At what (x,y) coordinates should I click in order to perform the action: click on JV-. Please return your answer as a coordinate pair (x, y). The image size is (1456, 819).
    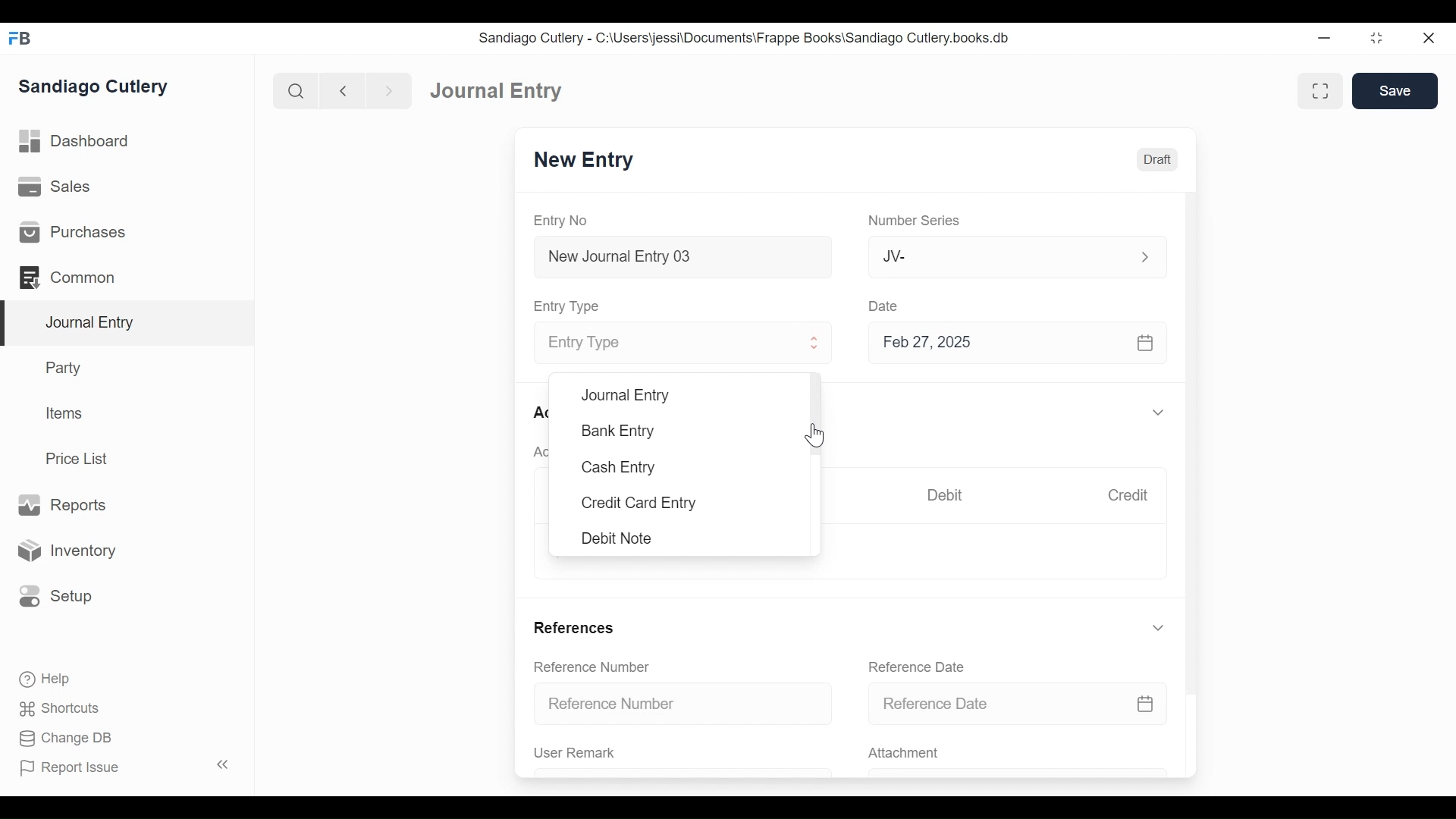
    Looking at the image, I should click on (990, 256).